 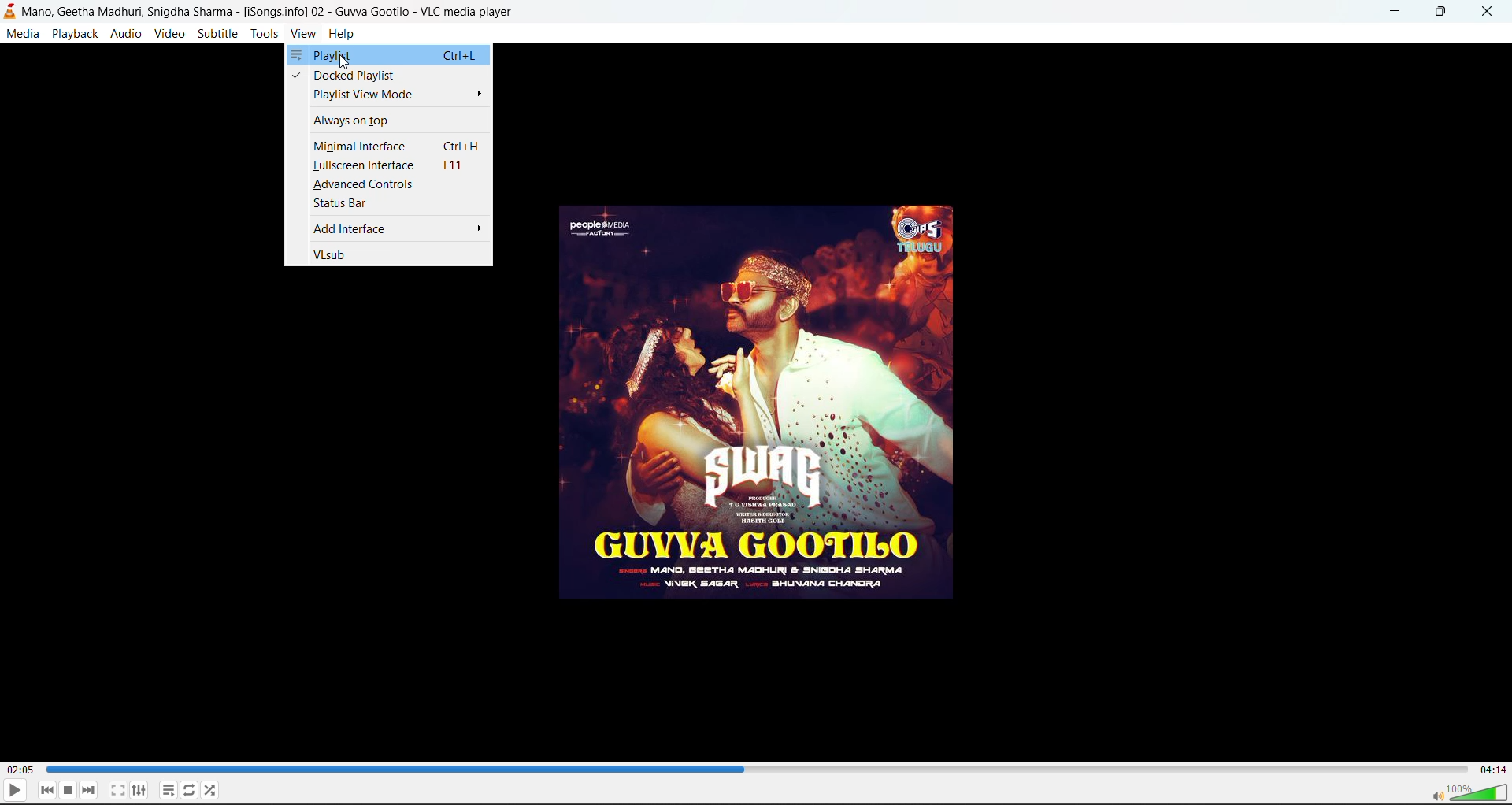 What do you see at coordinates (89, 790) in the screenshot?
I see `next` at bounding box center [89, 790].